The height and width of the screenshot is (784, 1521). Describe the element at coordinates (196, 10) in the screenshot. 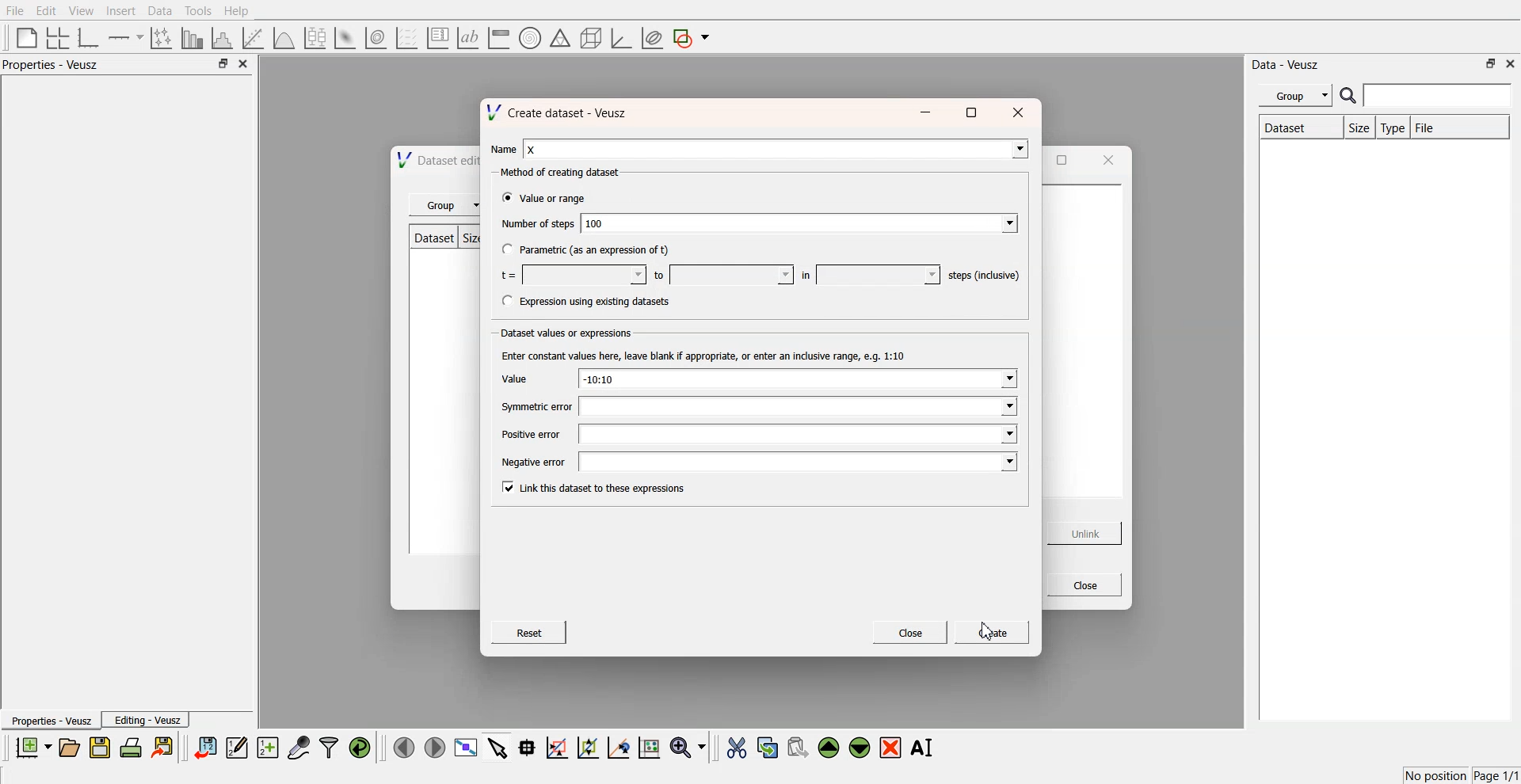

I see `Tools` at that location.